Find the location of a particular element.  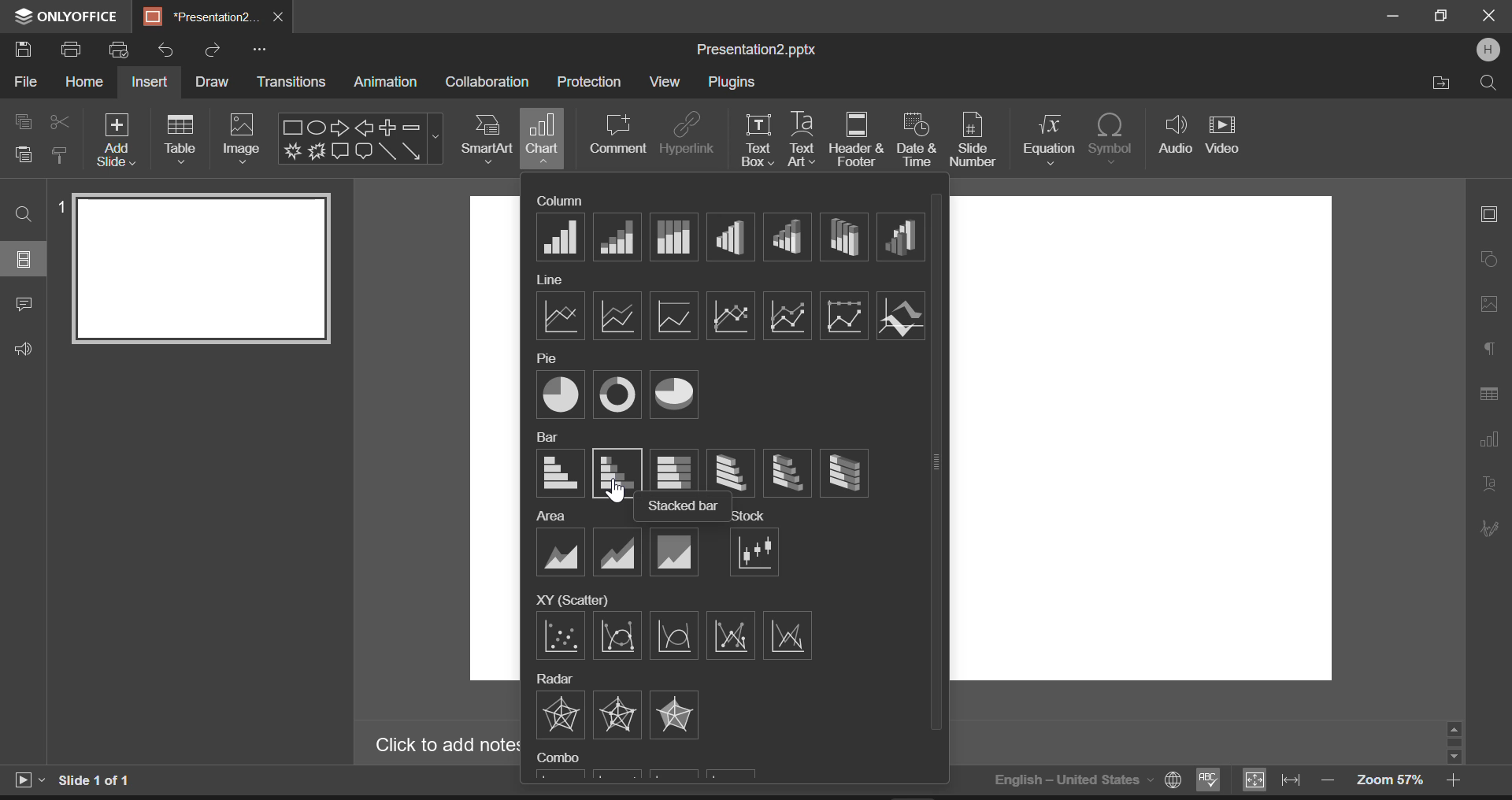

Symbol is located at coordinates (1111, 139).